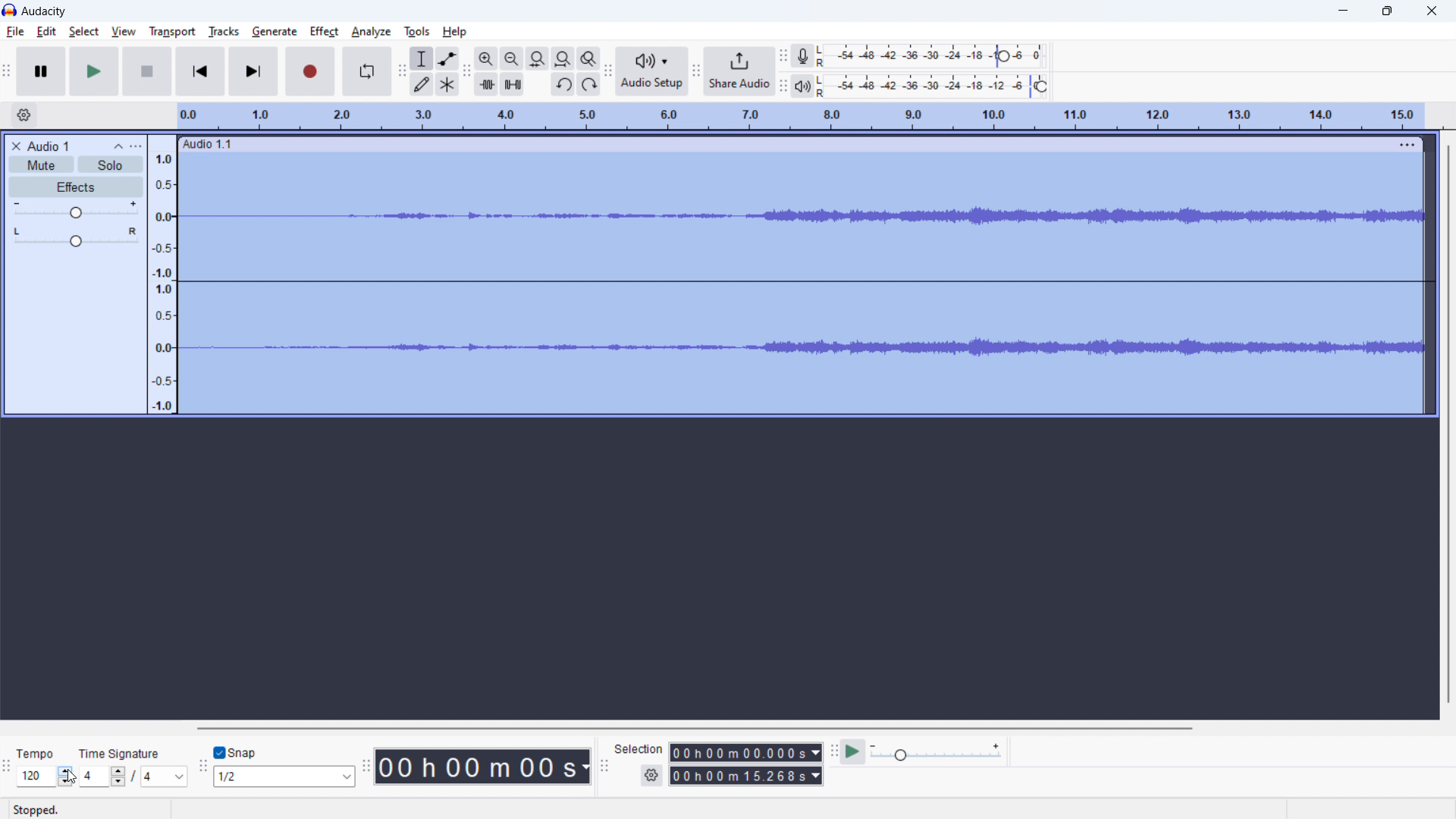 This screenshot has width=1456, height=819. Describe the element at coordinates (783, 146) in the screenshot. I see `hold to move` at that location.